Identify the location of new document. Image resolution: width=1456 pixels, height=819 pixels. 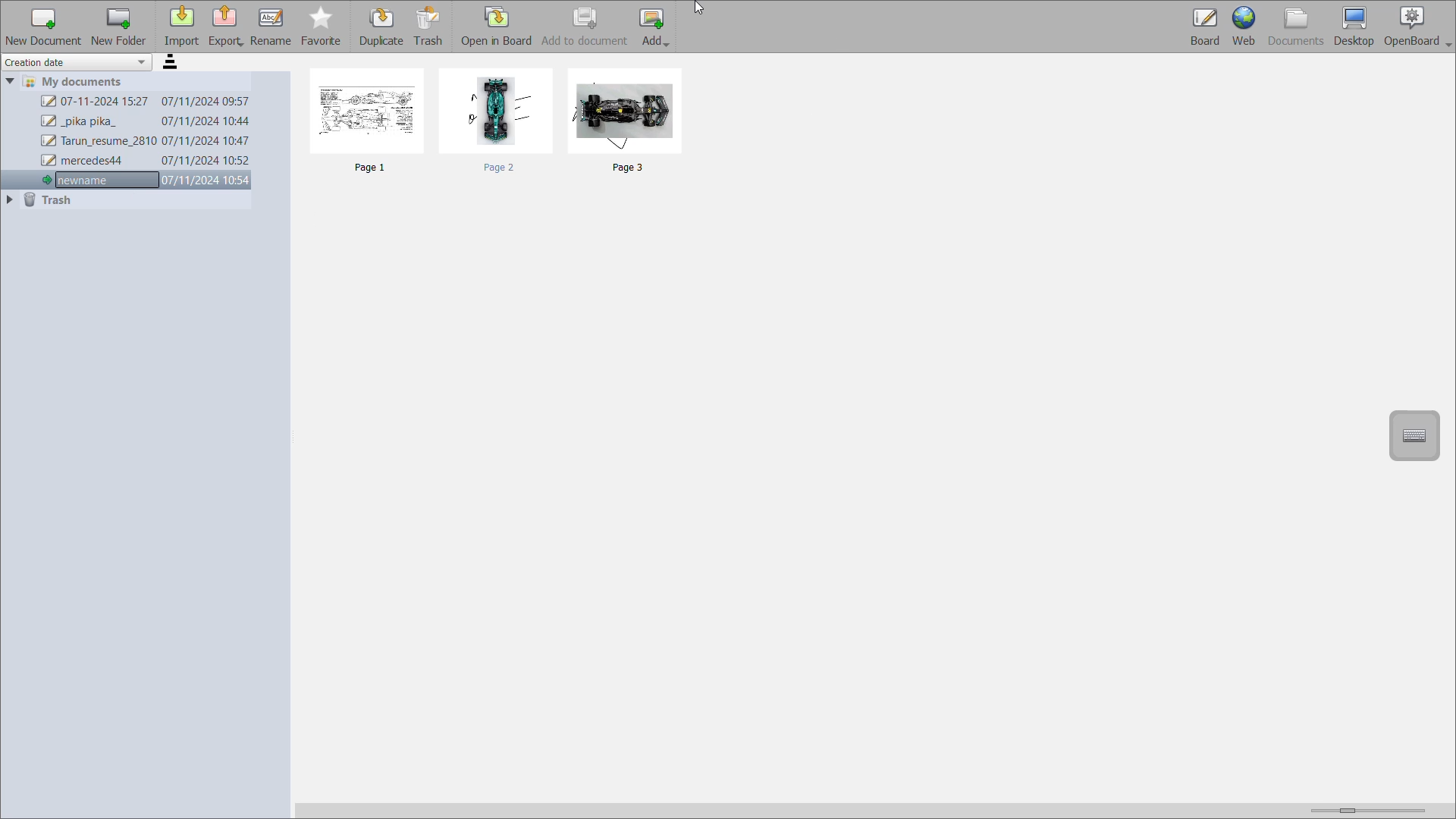
(42, 26).